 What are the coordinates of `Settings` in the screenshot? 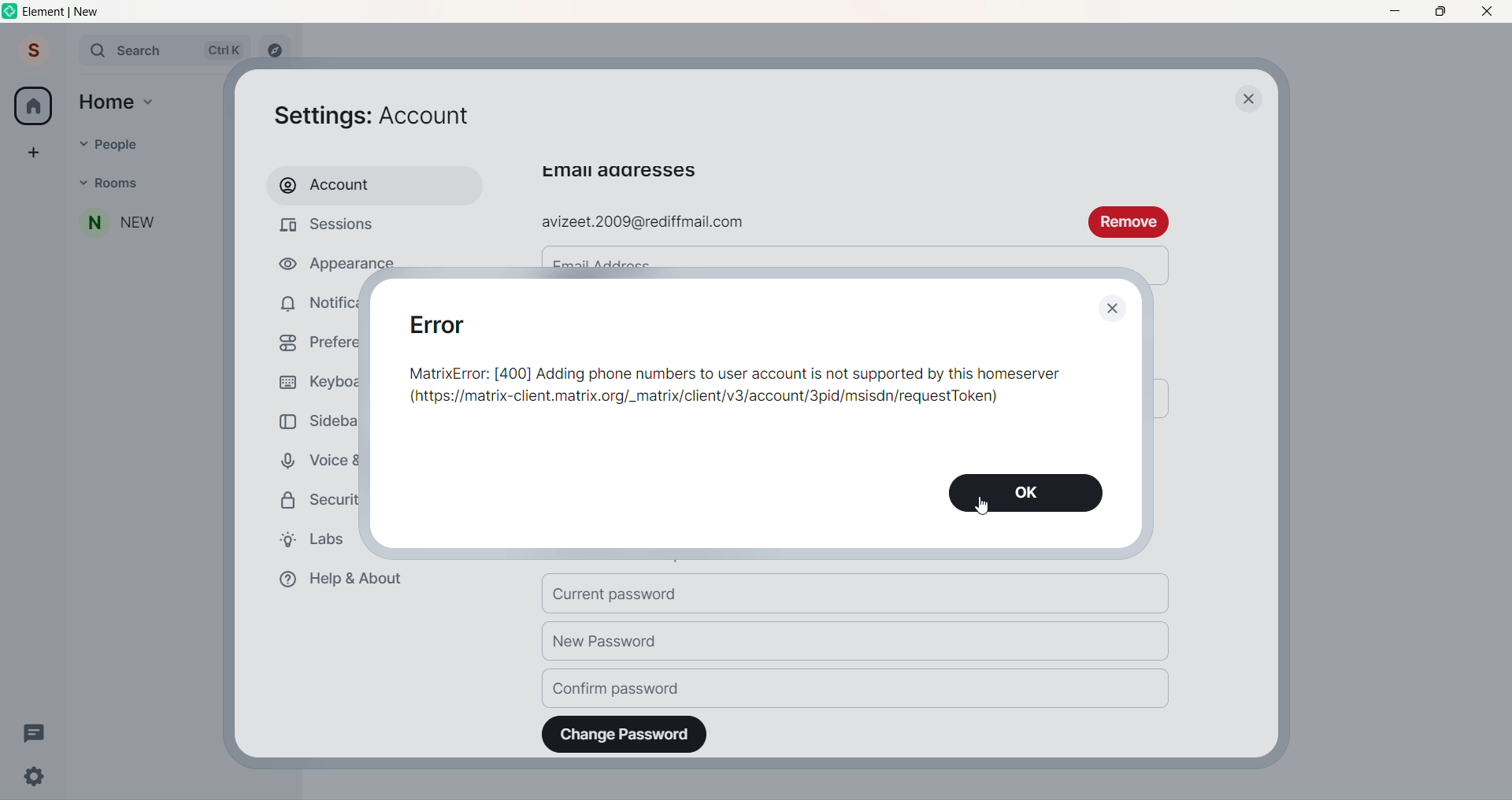 It's located at (384, 113).